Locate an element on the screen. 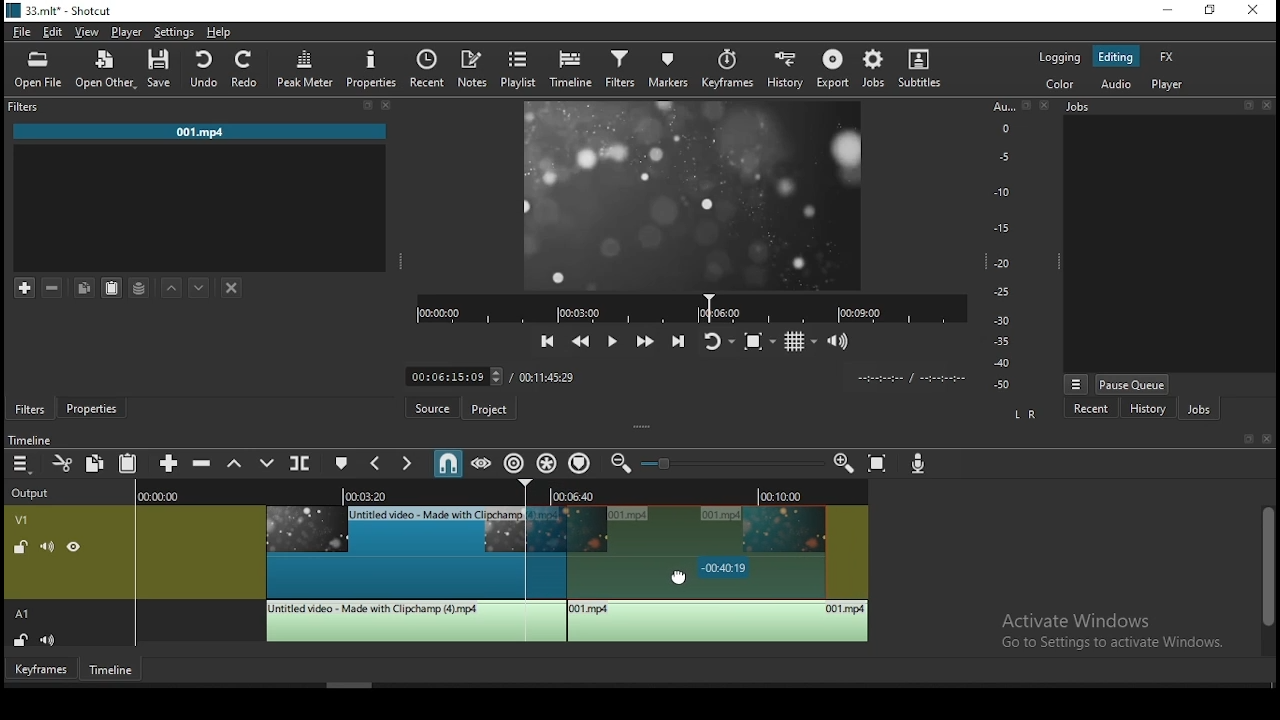 This screenshot has width=1280, height=720. A1 is located at coordinates (26, 614).